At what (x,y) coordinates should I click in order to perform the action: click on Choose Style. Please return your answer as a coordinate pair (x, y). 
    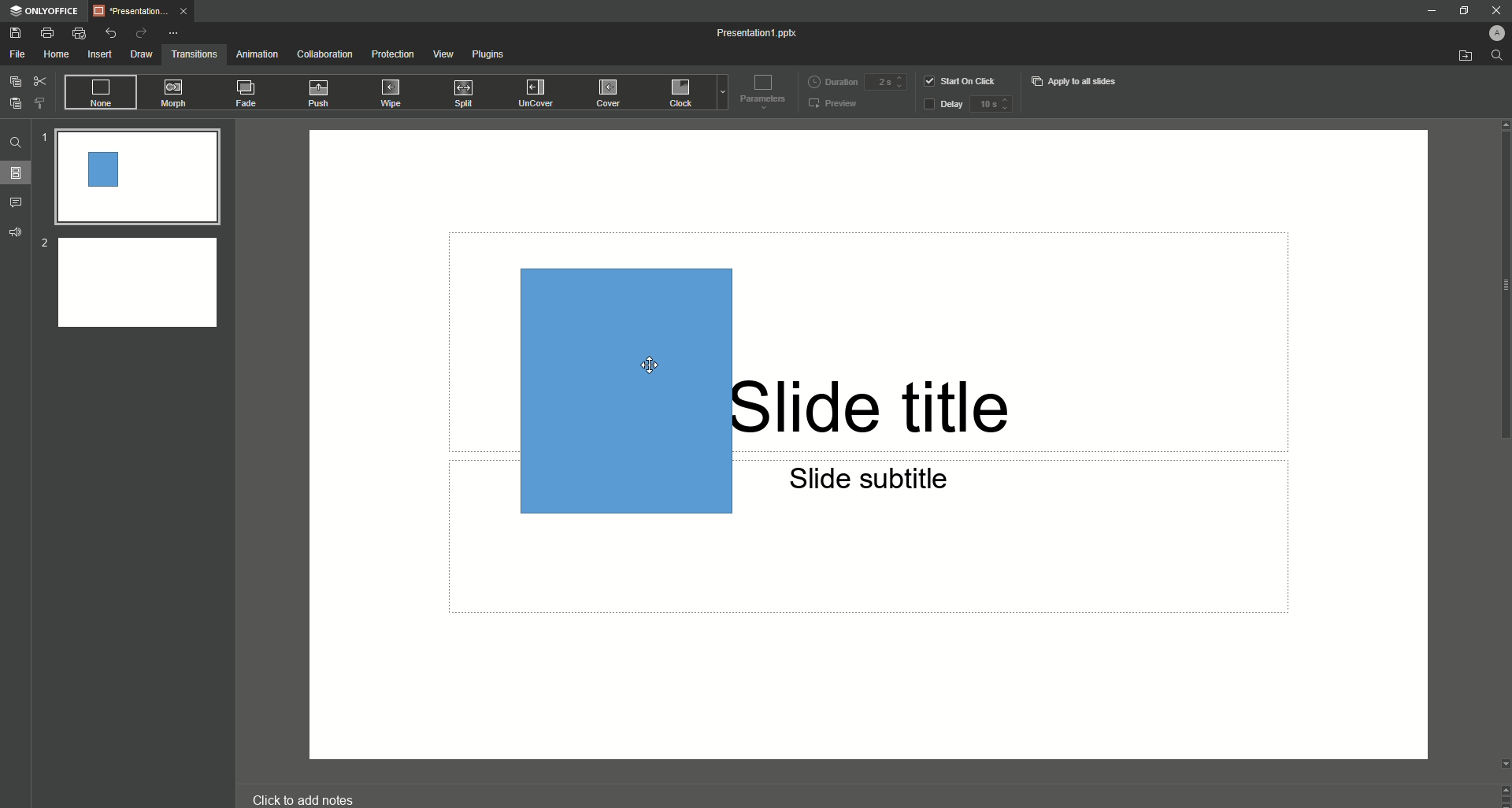
    Looking at the image, I should click on (43, 103).